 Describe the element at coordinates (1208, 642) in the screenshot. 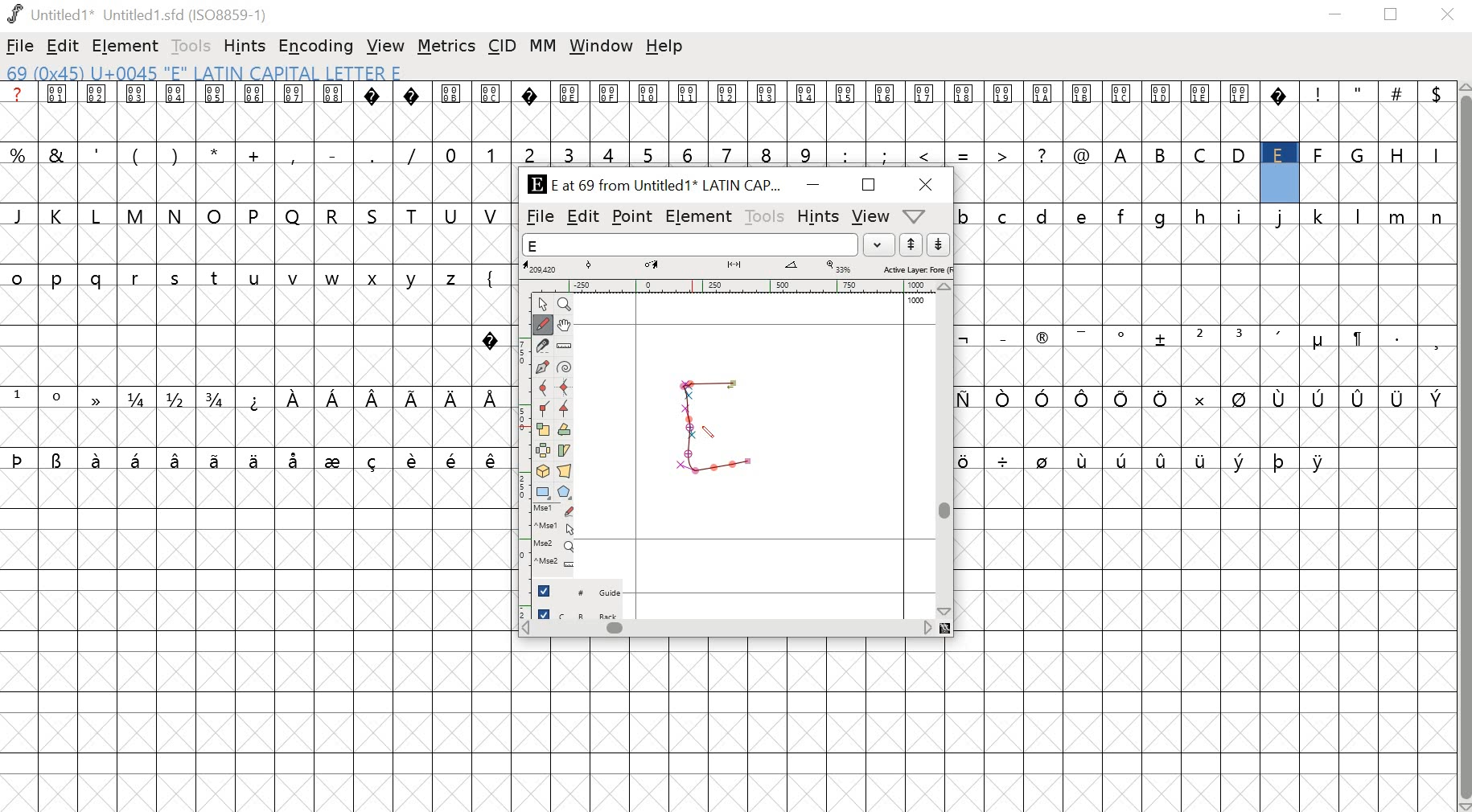

I see `empty cells` at that location.